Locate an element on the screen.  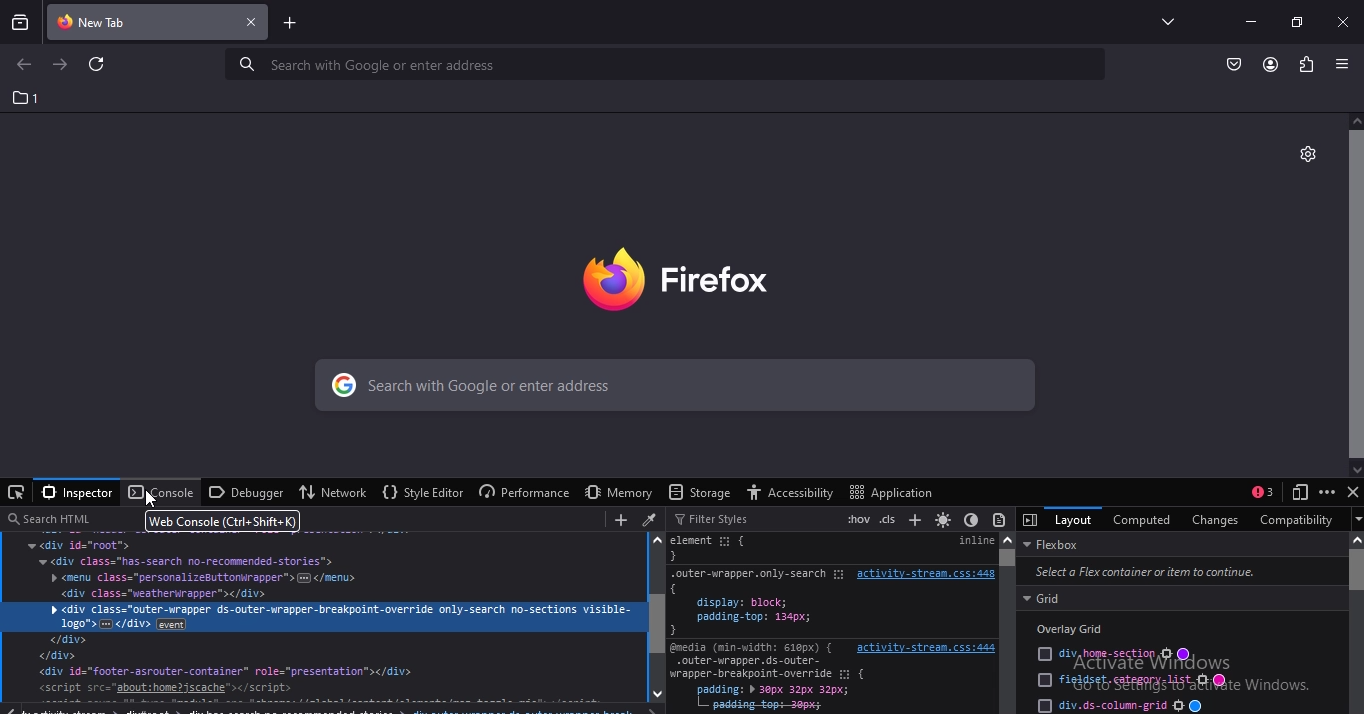
customize developer tools and get help is located at coordinates (1328, 492).